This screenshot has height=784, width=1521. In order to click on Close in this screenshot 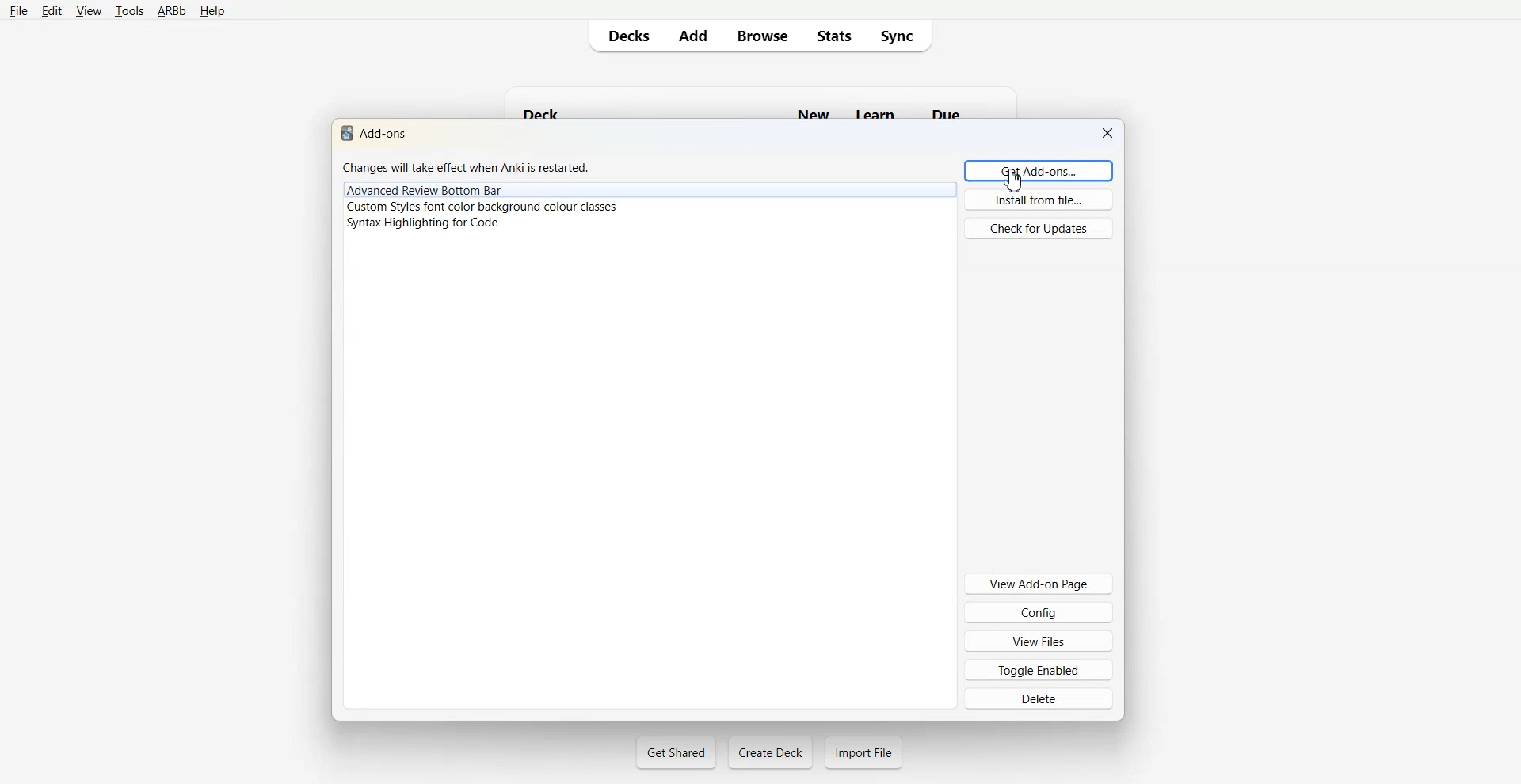, I will do `click(1106, 132)`.